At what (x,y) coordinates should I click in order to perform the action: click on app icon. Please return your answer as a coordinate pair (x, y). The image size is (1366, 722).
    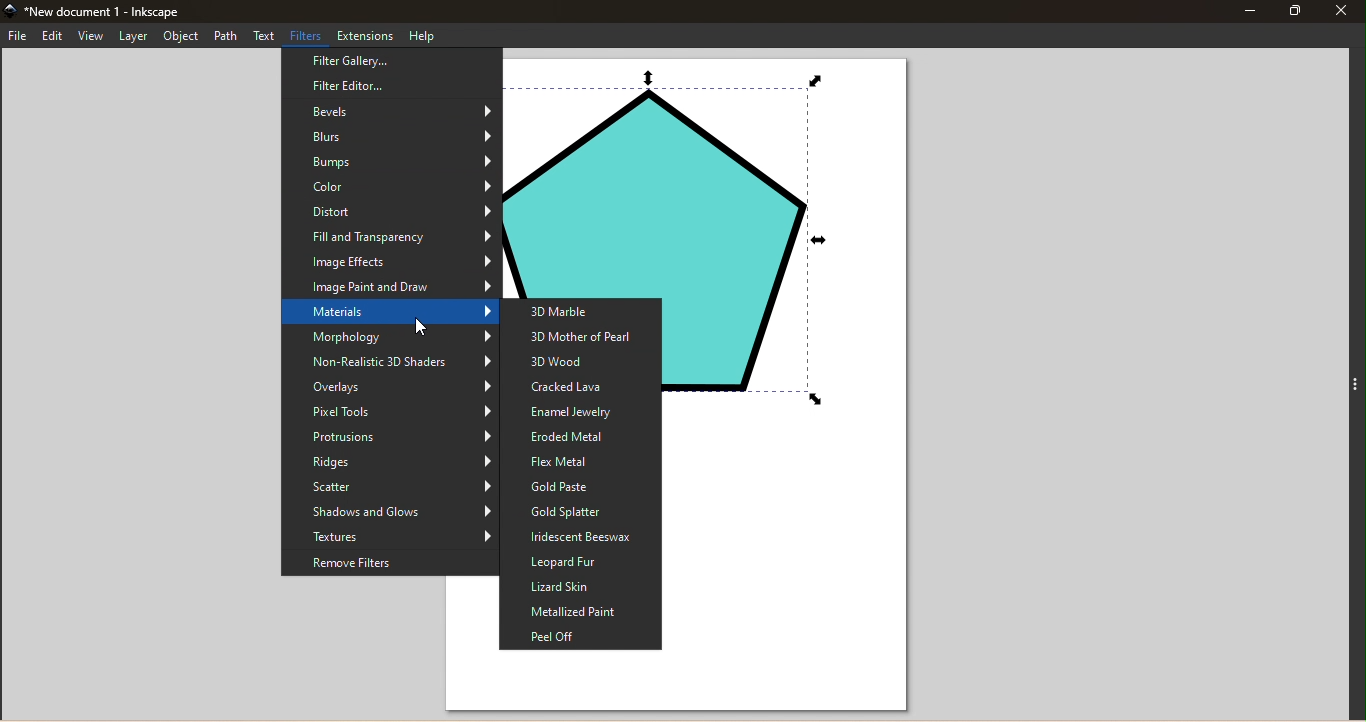
    Looking at the image, I should click on (10, 11).